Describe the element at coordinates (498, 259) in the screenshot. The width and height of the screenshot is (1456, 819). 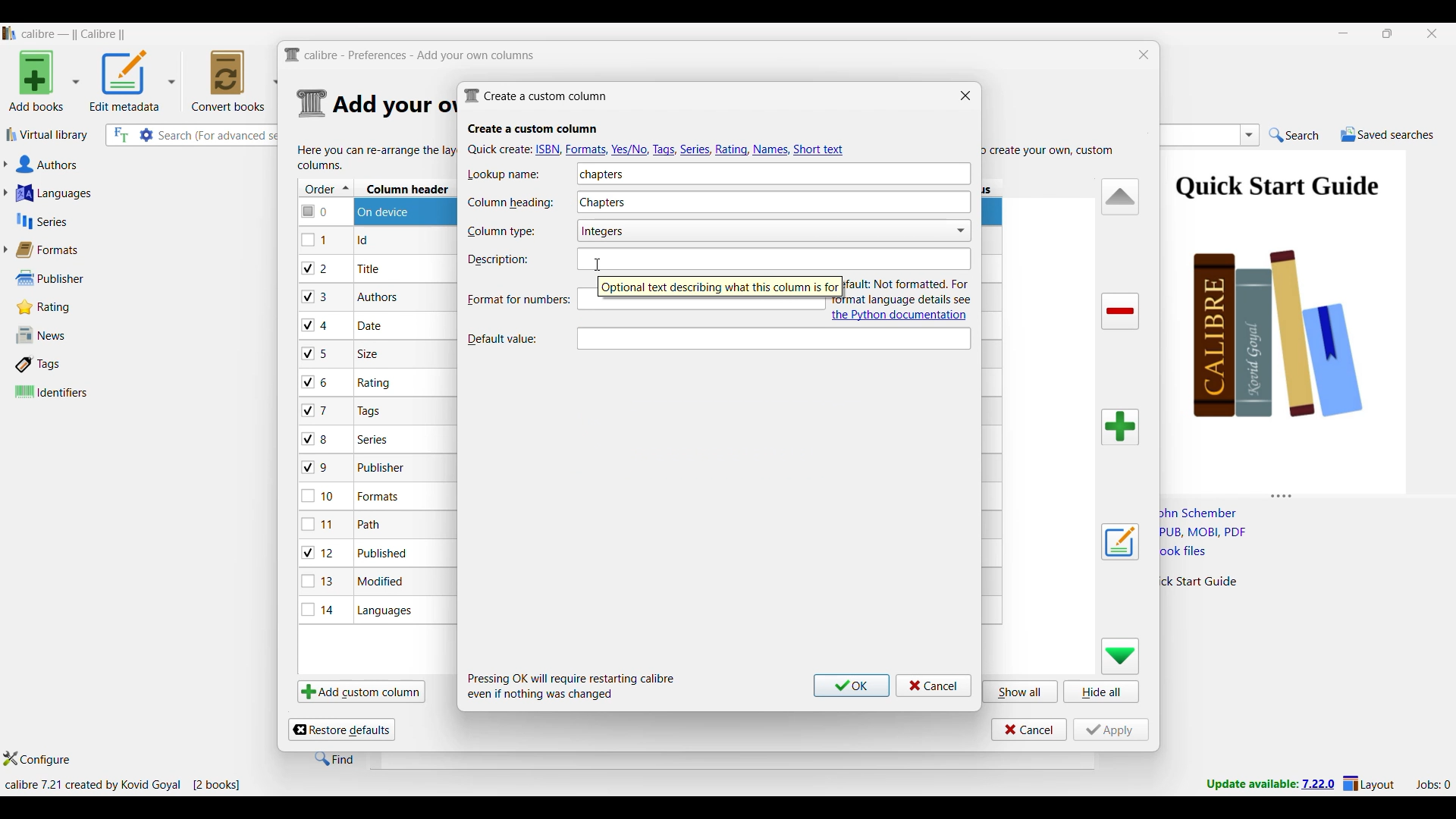
I see `Indicates description text box` at that location.